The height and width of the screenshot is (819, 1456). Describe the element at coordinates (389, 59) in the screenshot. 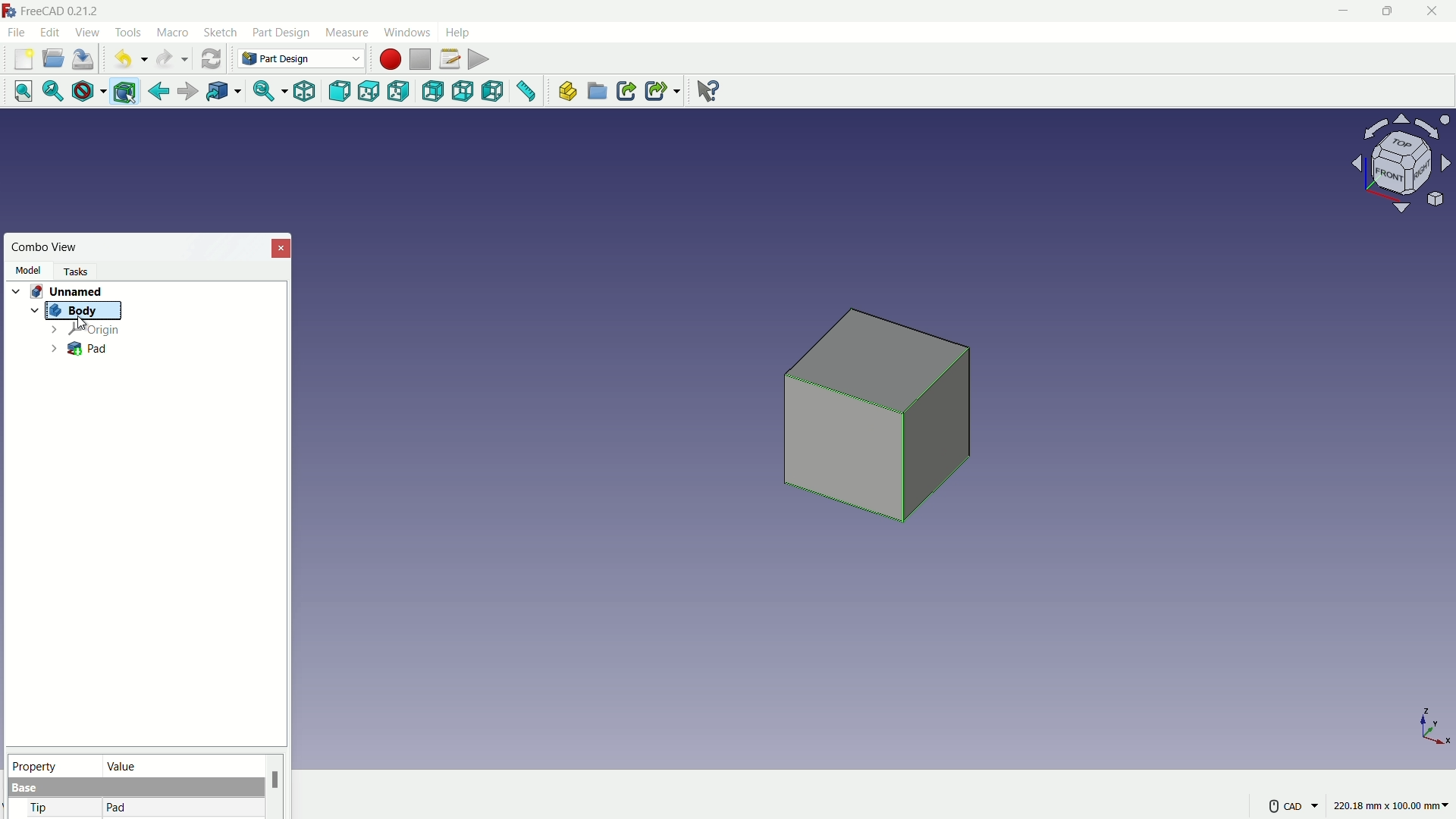

I see `start macros` at that location.